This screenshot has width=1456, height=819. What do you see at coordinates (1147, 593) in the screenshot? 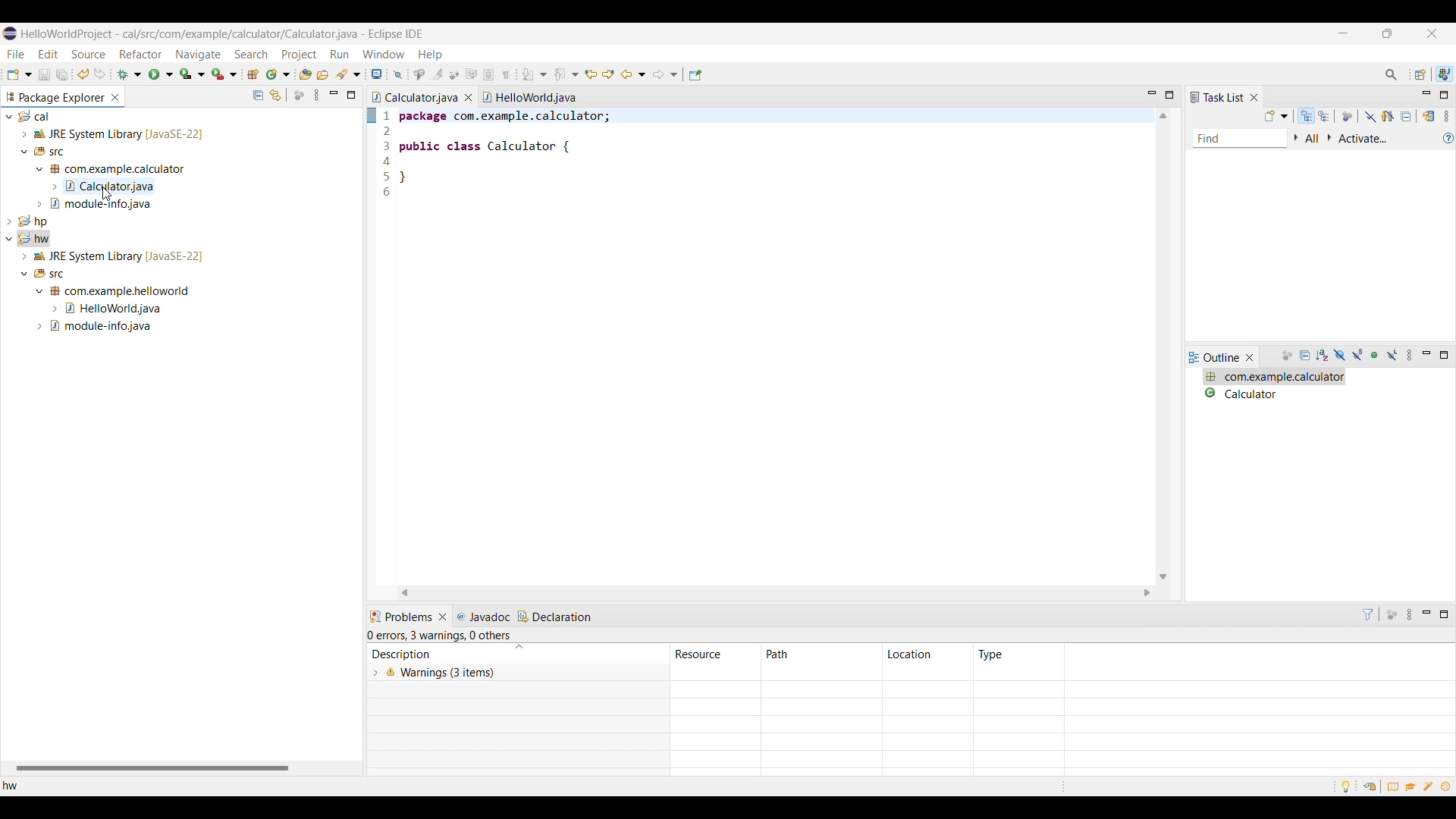
I see `Quick slide to right` at bounding box center [1147, 593].